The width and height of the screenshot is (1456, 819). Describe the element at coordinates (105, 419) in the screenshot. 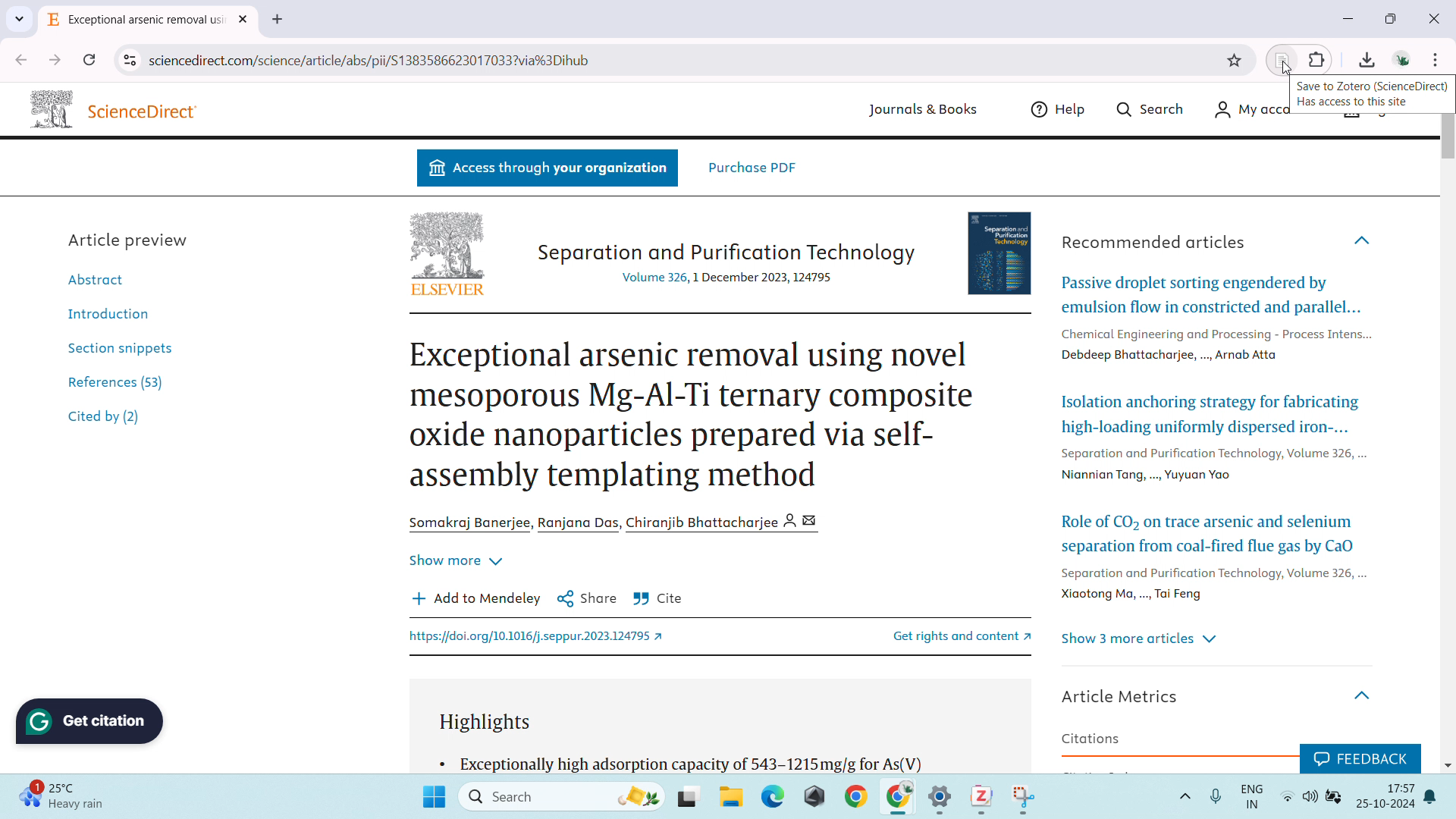

I see `Cited by (2)` at that location.